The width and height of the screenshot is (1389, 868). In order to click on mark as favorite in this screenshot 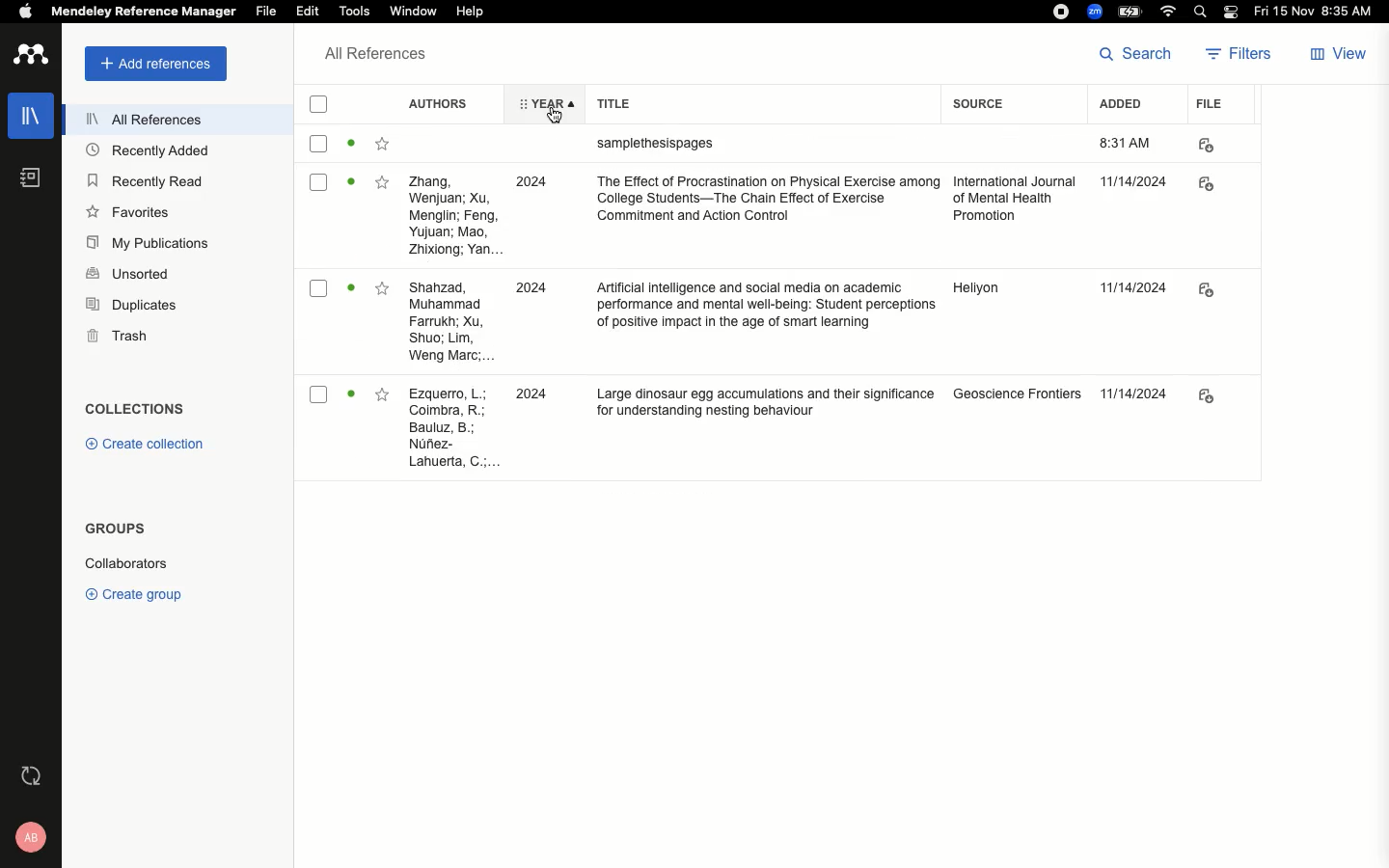, I will do `click(384, 398)`.